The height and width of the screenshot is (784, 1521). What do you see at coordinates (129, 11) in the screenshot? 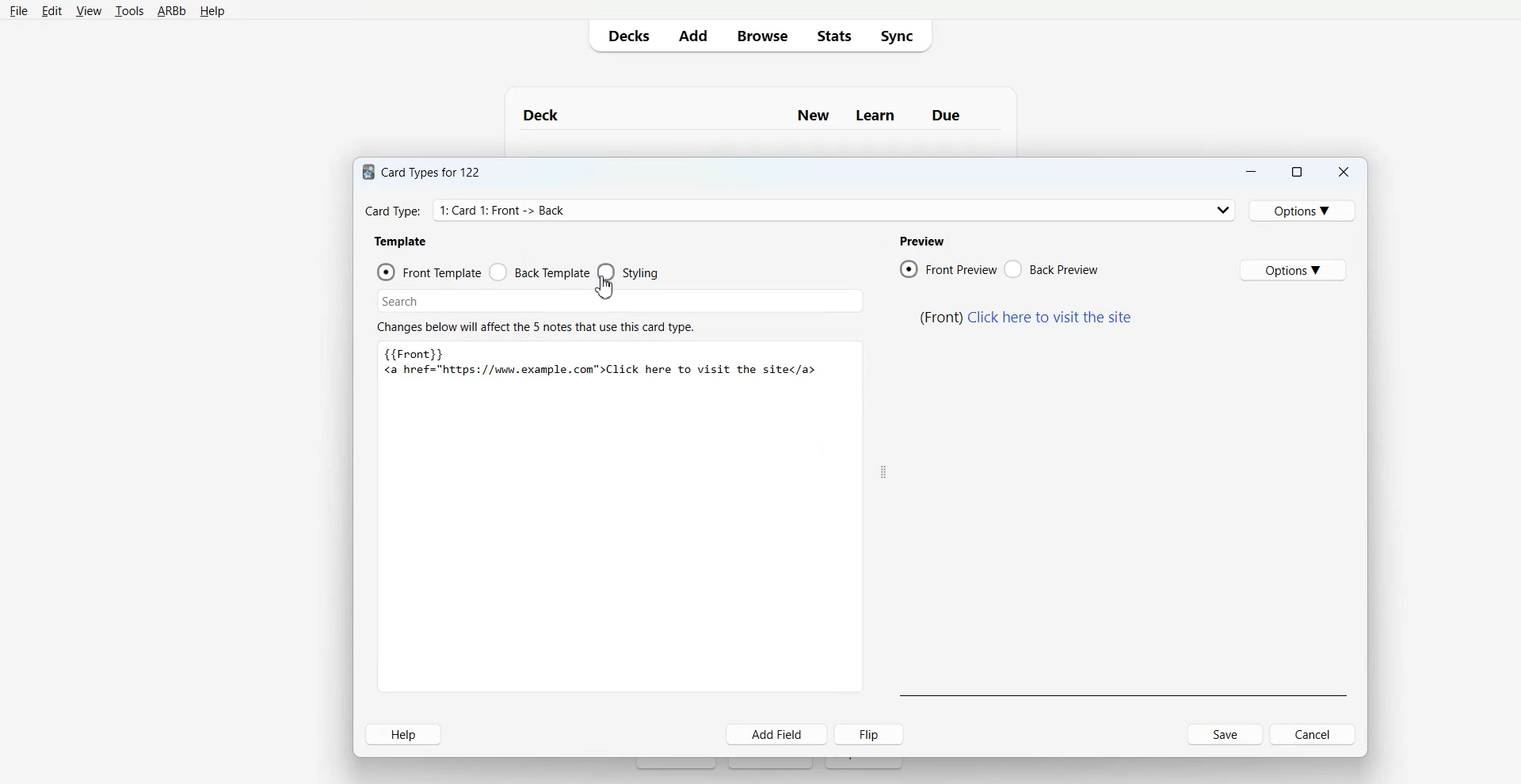
I see `Tools` at bounding box center [129, 11].